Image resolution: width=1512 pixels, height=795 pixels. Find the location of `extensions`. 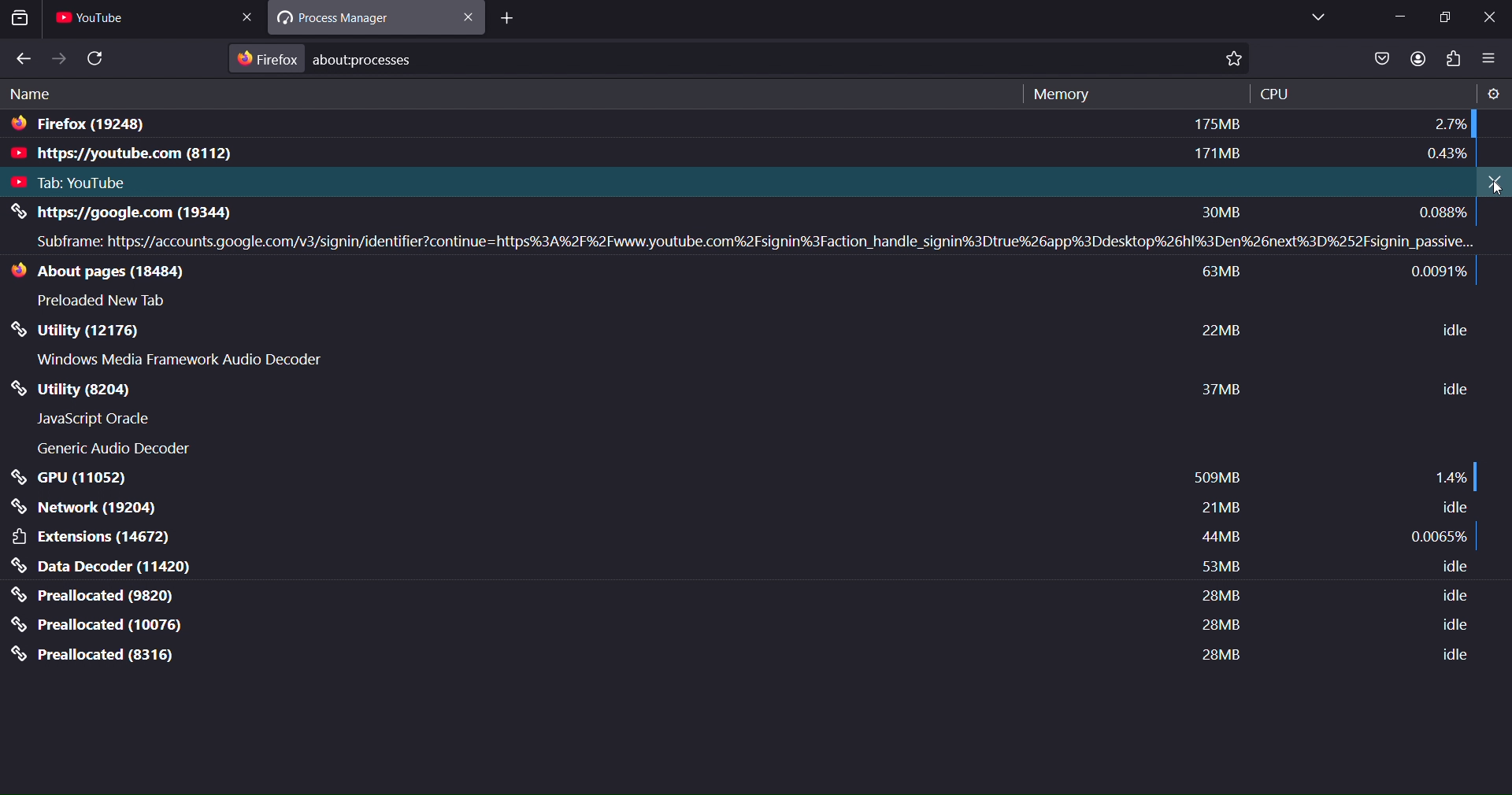

extensions is located at coordinates (1456, 59).